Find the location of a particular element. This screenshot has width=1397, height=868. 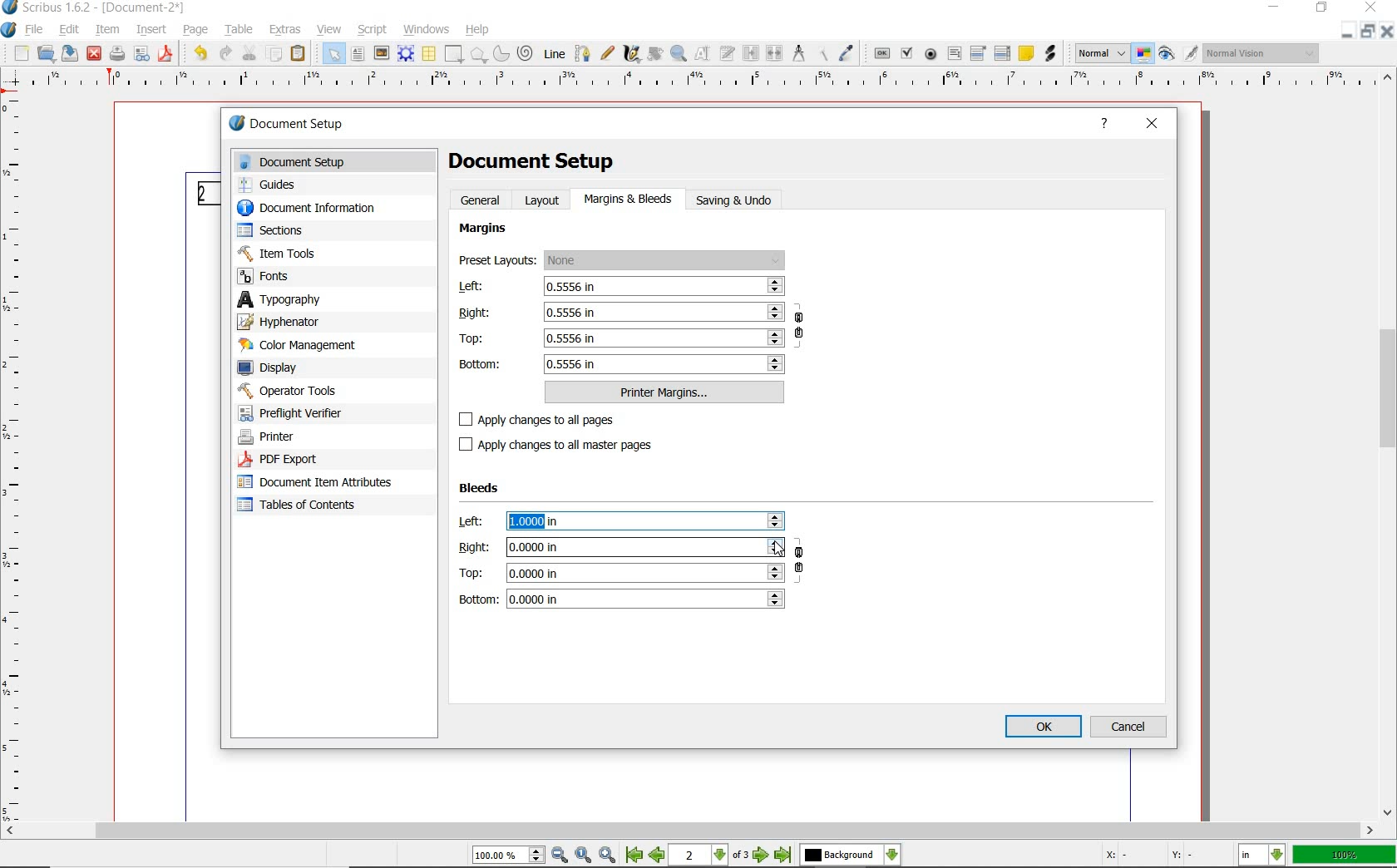

help is located at coordinates (1108, 124).